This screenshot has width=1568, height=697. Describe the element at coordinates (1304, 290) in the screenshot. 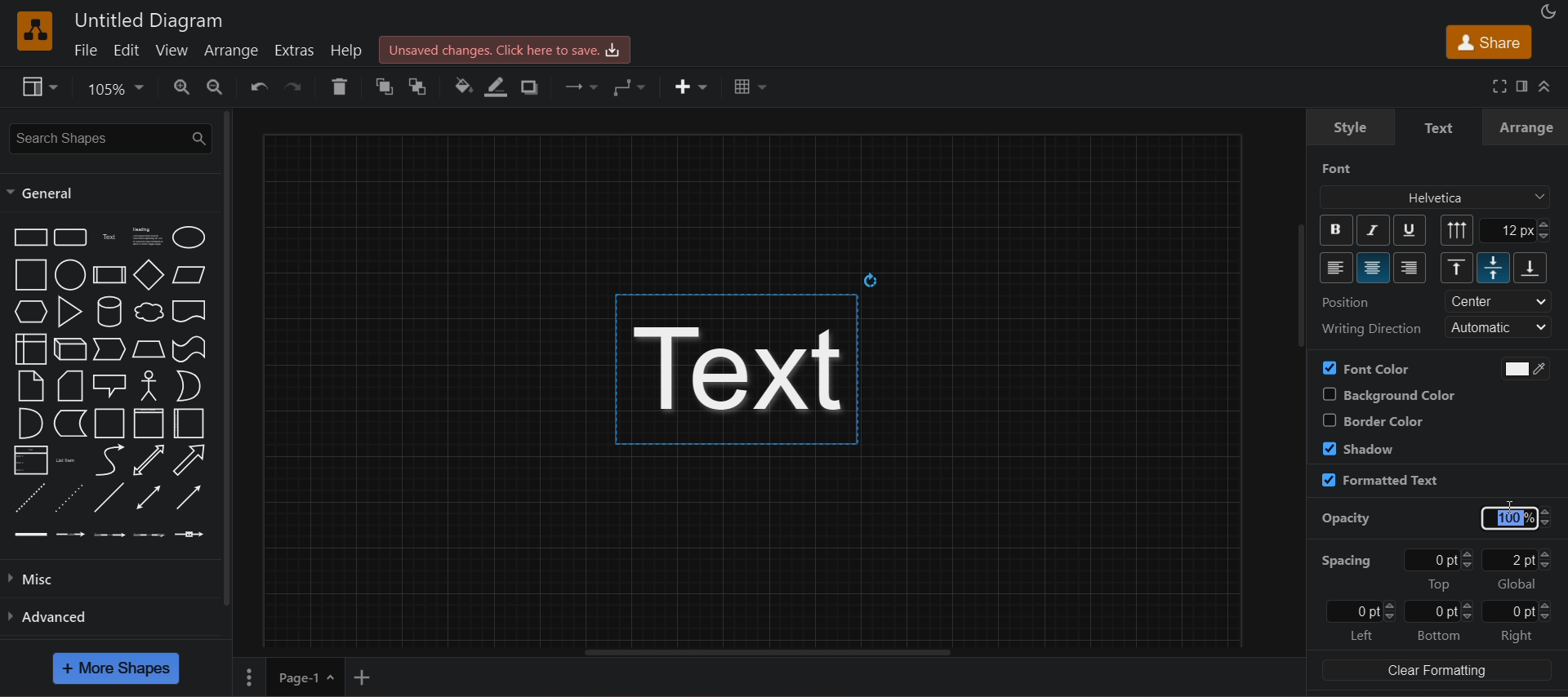

I see `vertical scroll bar` at that location.